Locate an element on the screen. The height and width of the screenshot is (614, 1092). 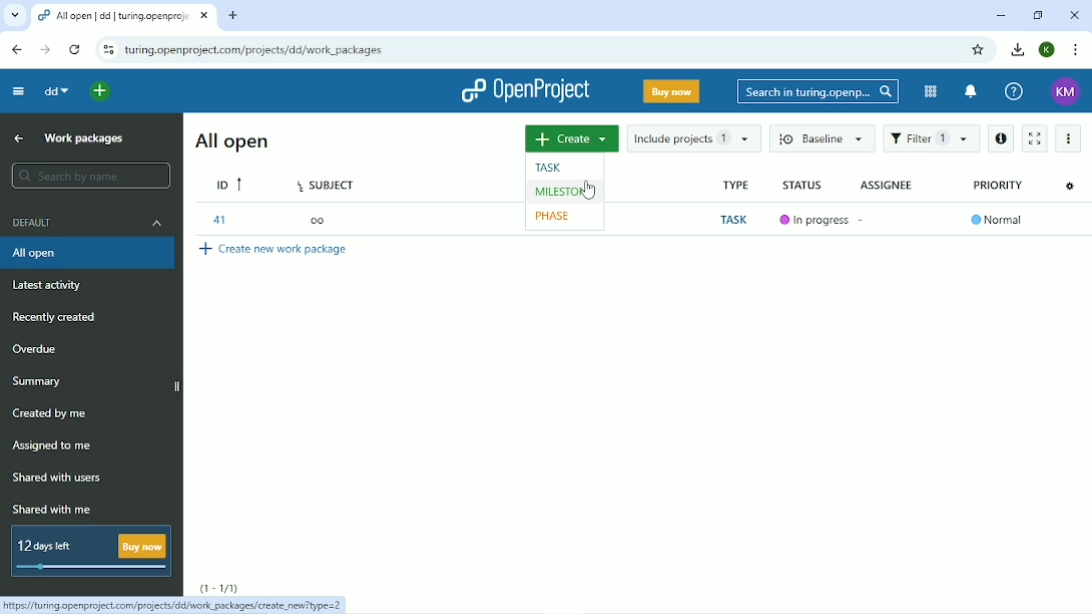
Downloads is located at coordinates (1018, 49).